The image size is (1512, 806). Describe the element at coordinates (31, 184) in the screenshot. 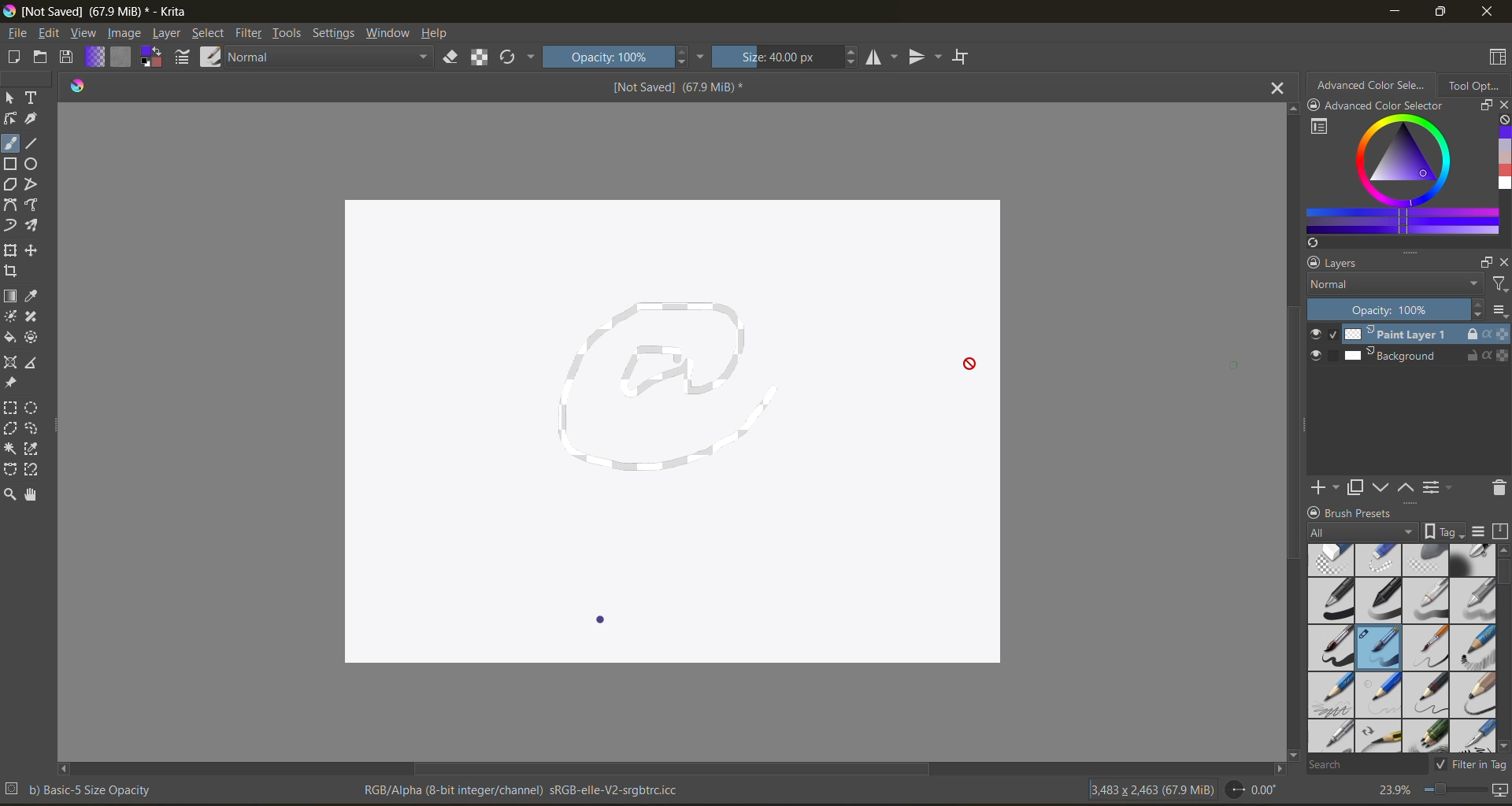

I see `polyline` at that location.